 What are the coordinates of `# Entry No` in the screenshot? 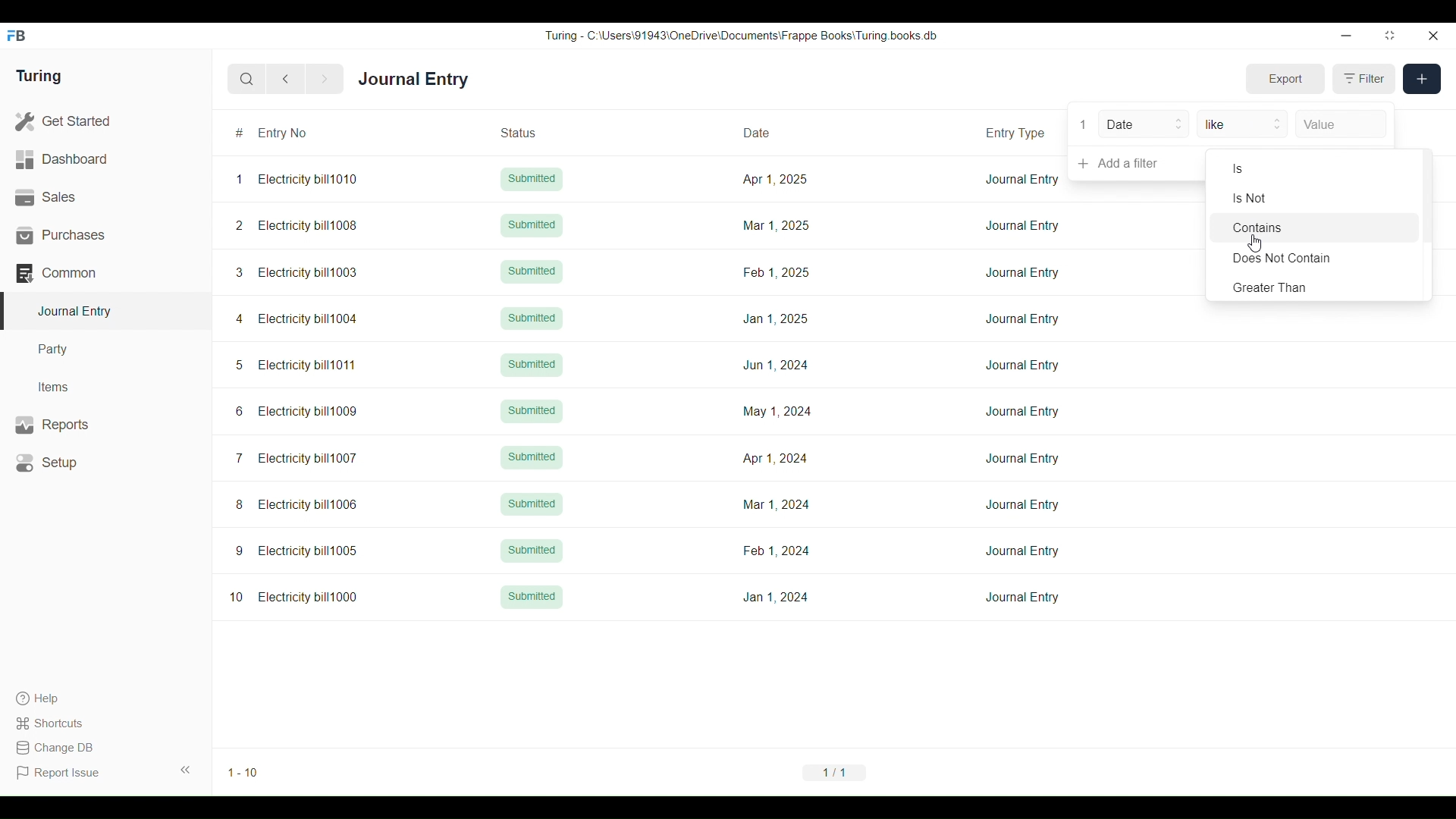 It's located at (303, 133).